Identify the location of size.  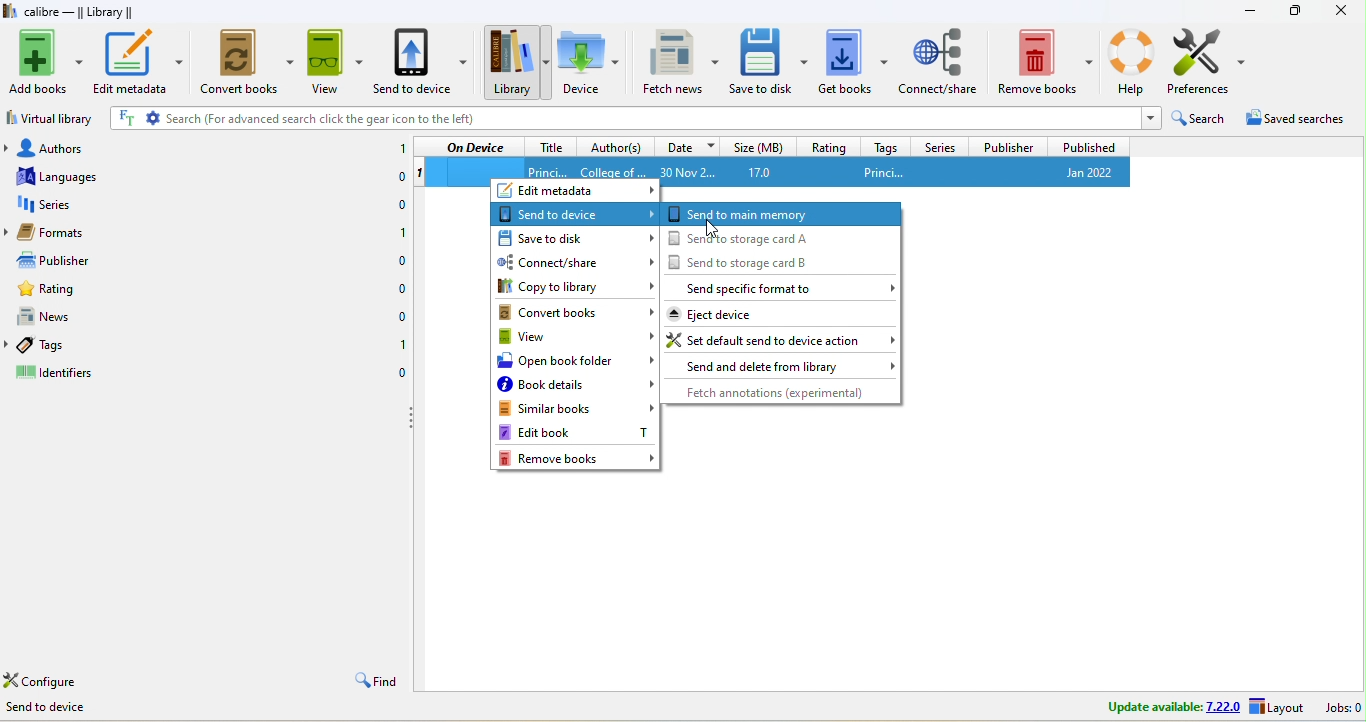
(758, 145).